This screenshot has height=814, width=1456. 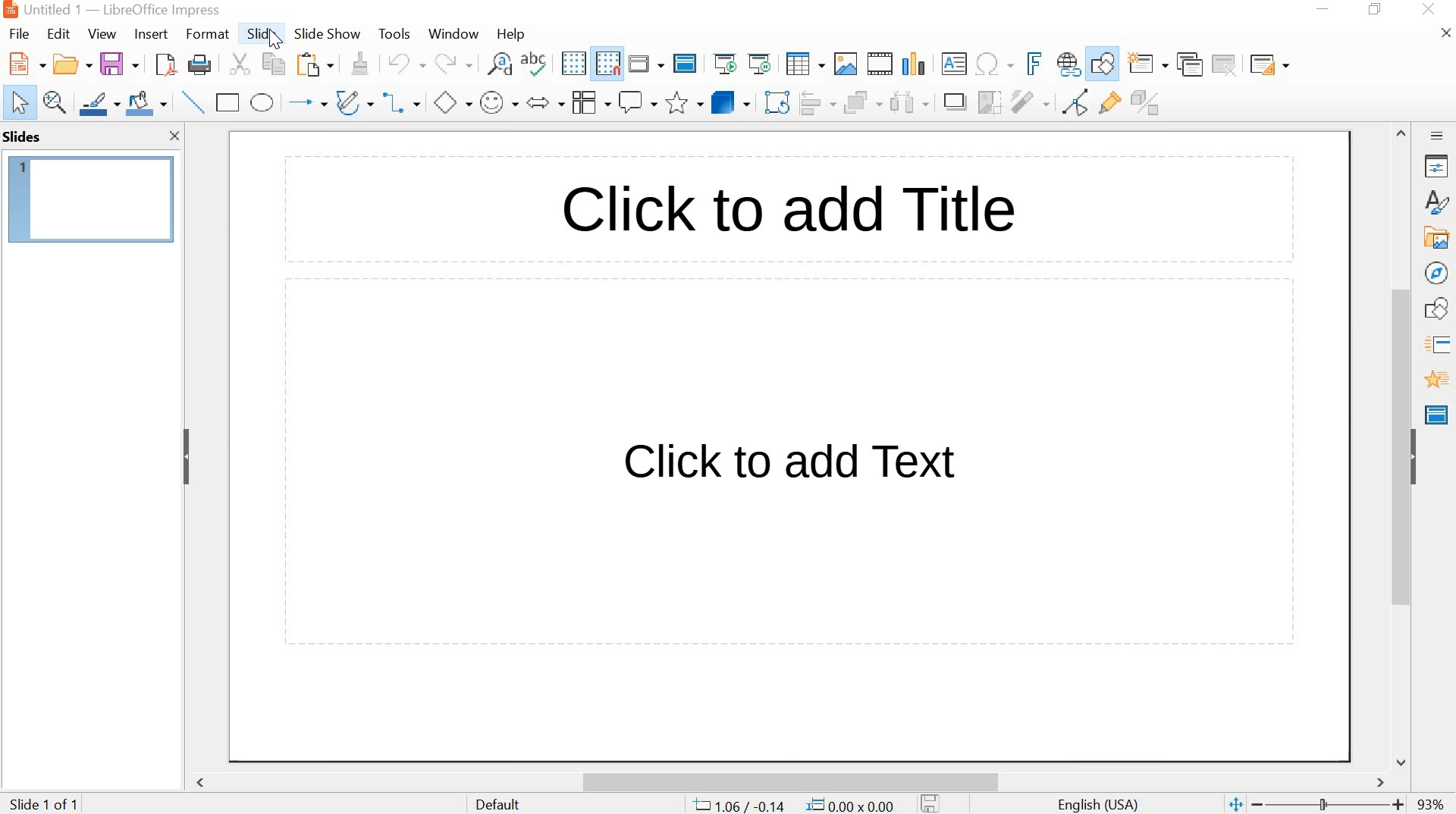 I want to click on Toggle Extrusion, so click(x=1150, y=102).